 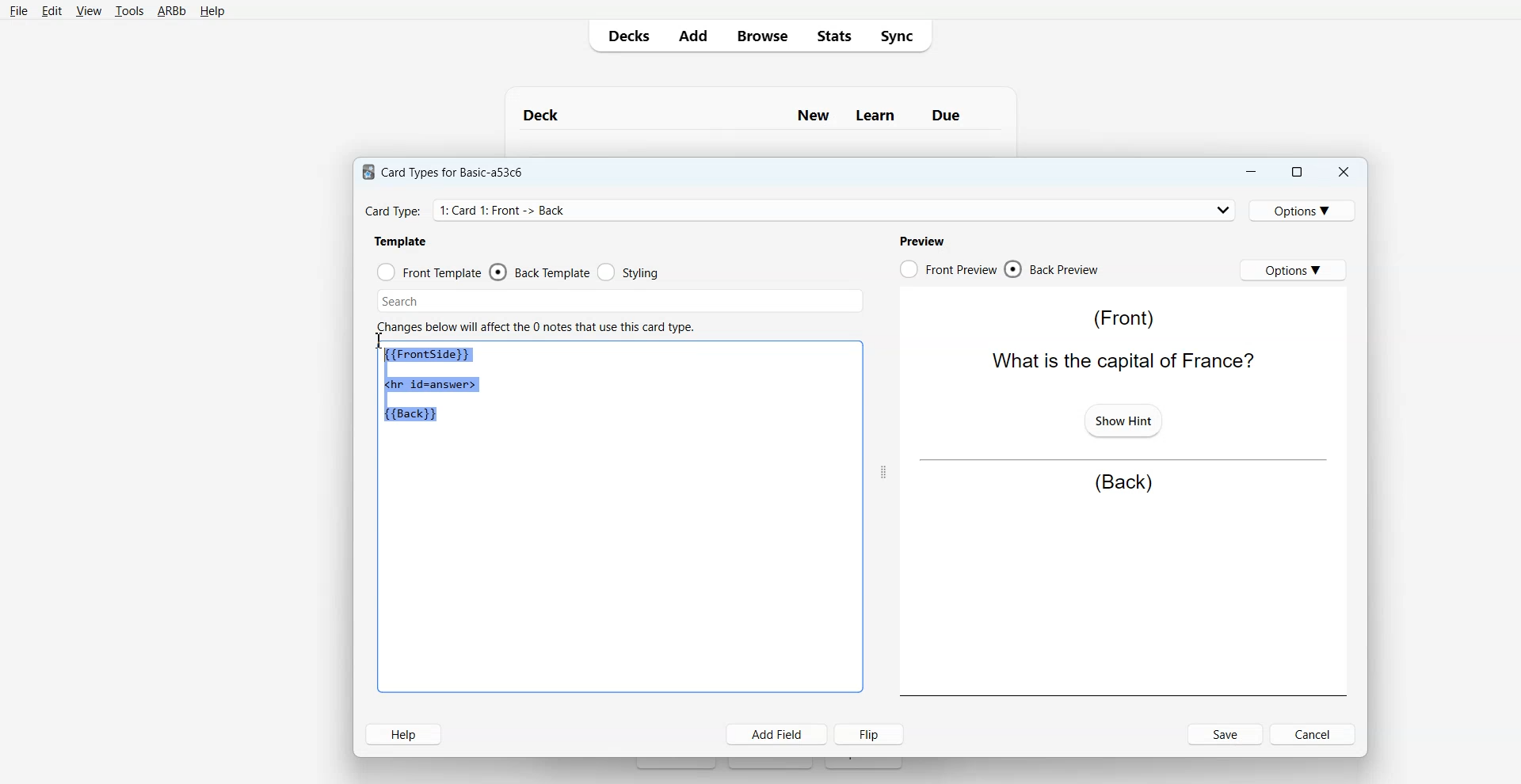 What do you see at coordinates (542, 327) in the screenshot?
I see `Changes below will affect the 0 notes that use this card type` at bounding box center [542, 327].